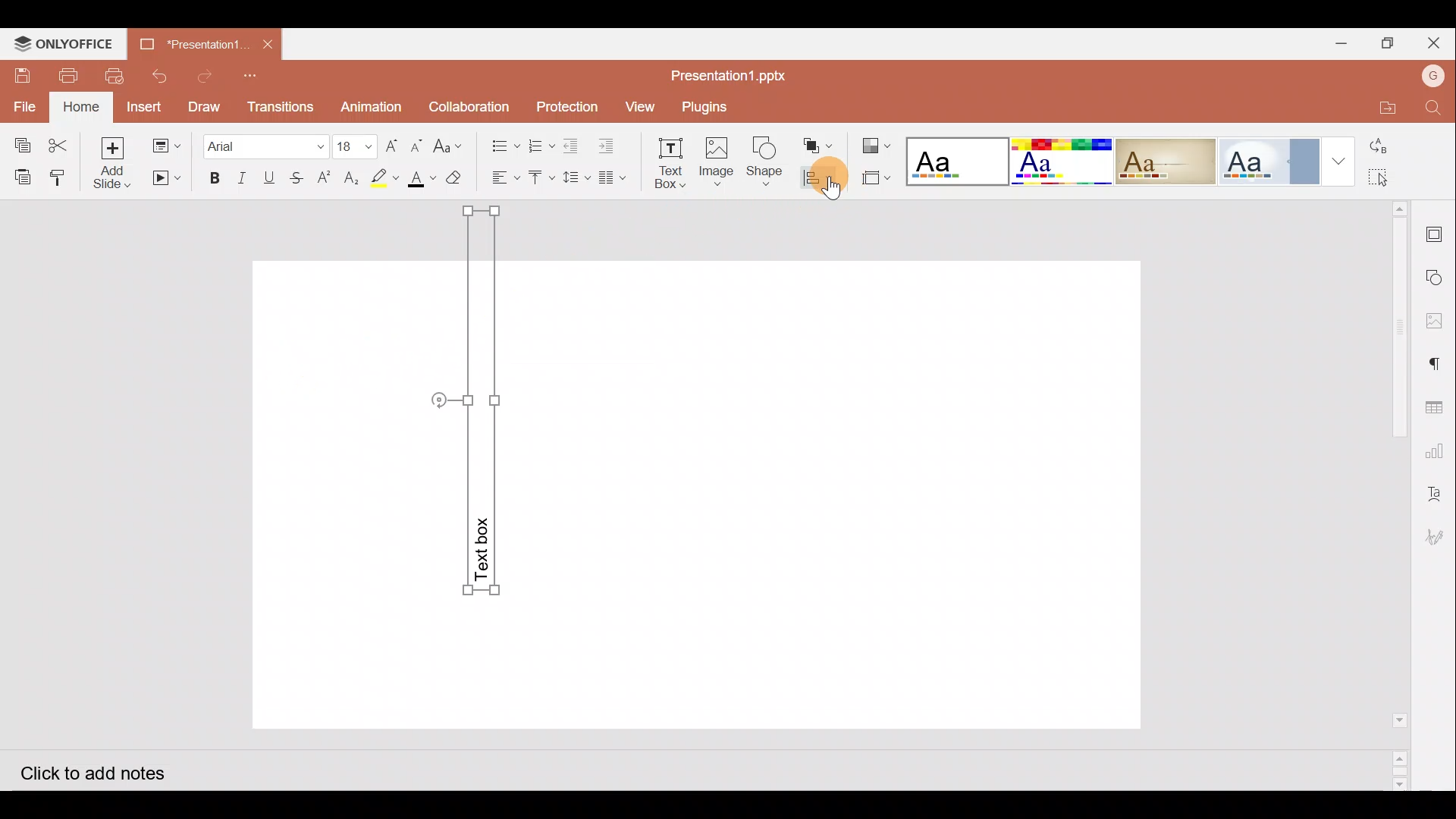 The width and height of the screenshot is (1456, 819). What do you see at coordinates (715, 162) in the screenshot?
I see `Insert Image` at bounding box center [715, 162].